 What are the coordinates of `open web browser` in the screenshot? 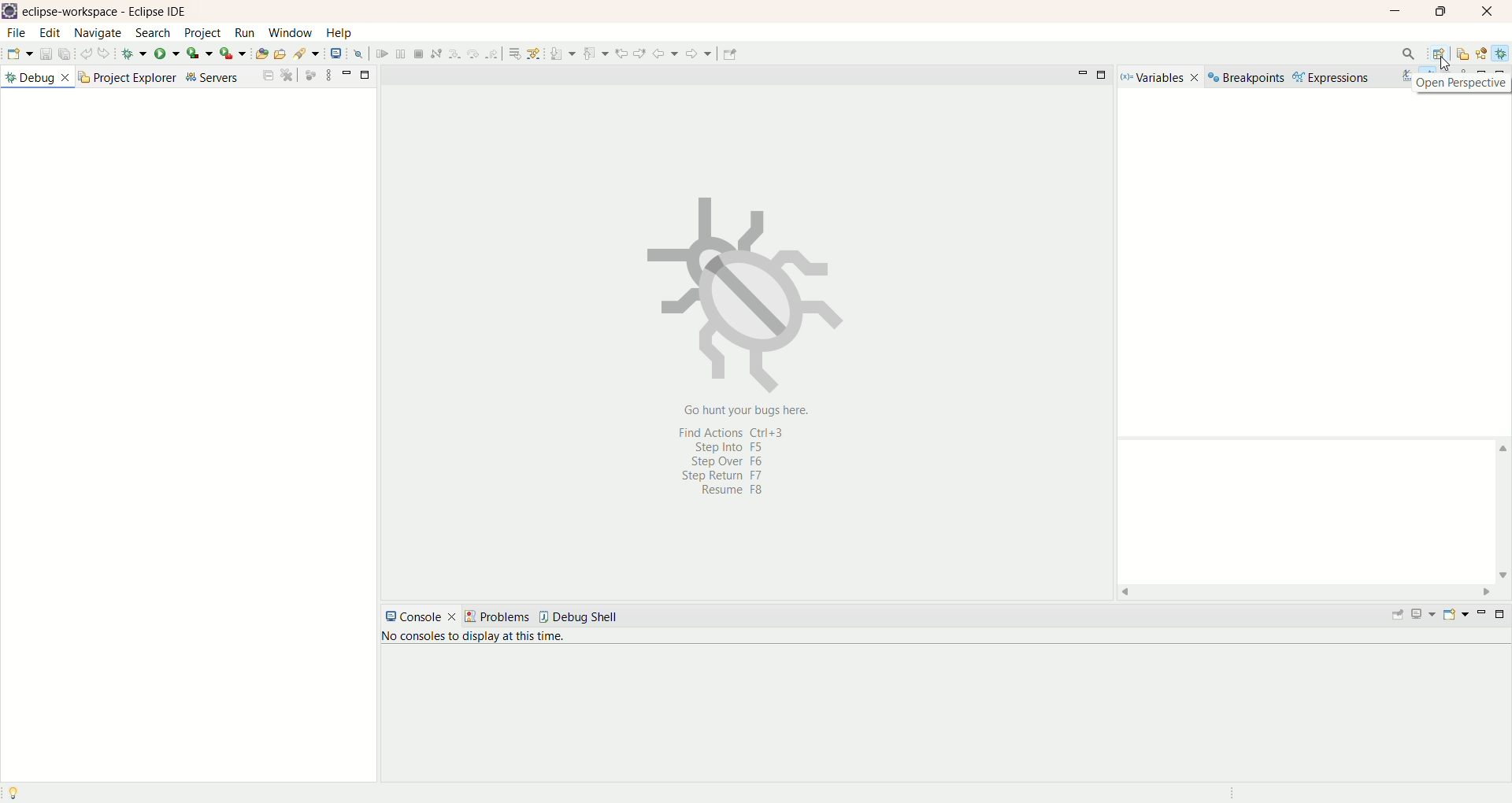 It's located at (407, 54).